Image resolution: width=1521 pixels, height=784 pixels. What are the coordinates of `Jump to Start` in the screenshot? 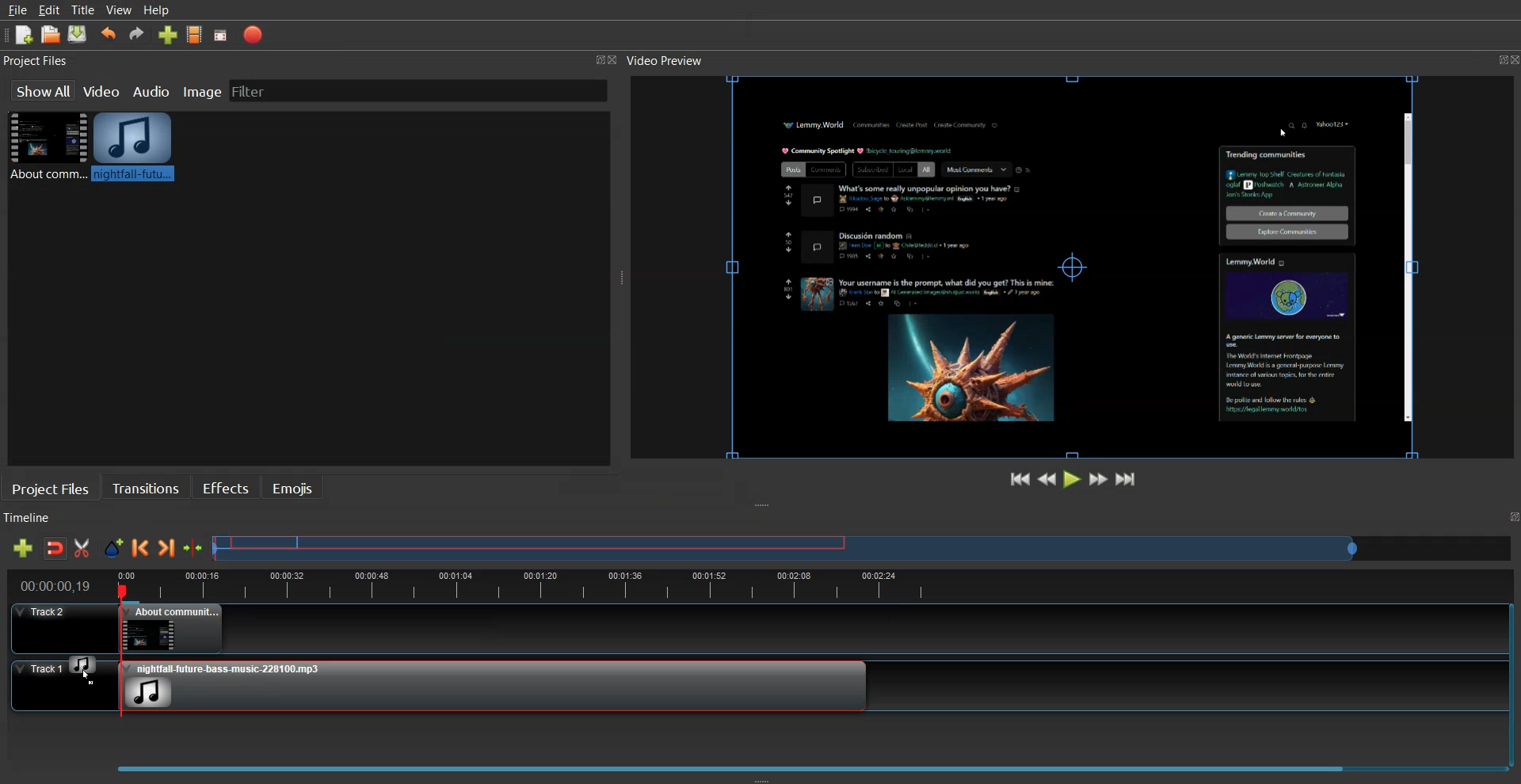 It's located at (1021, 479).